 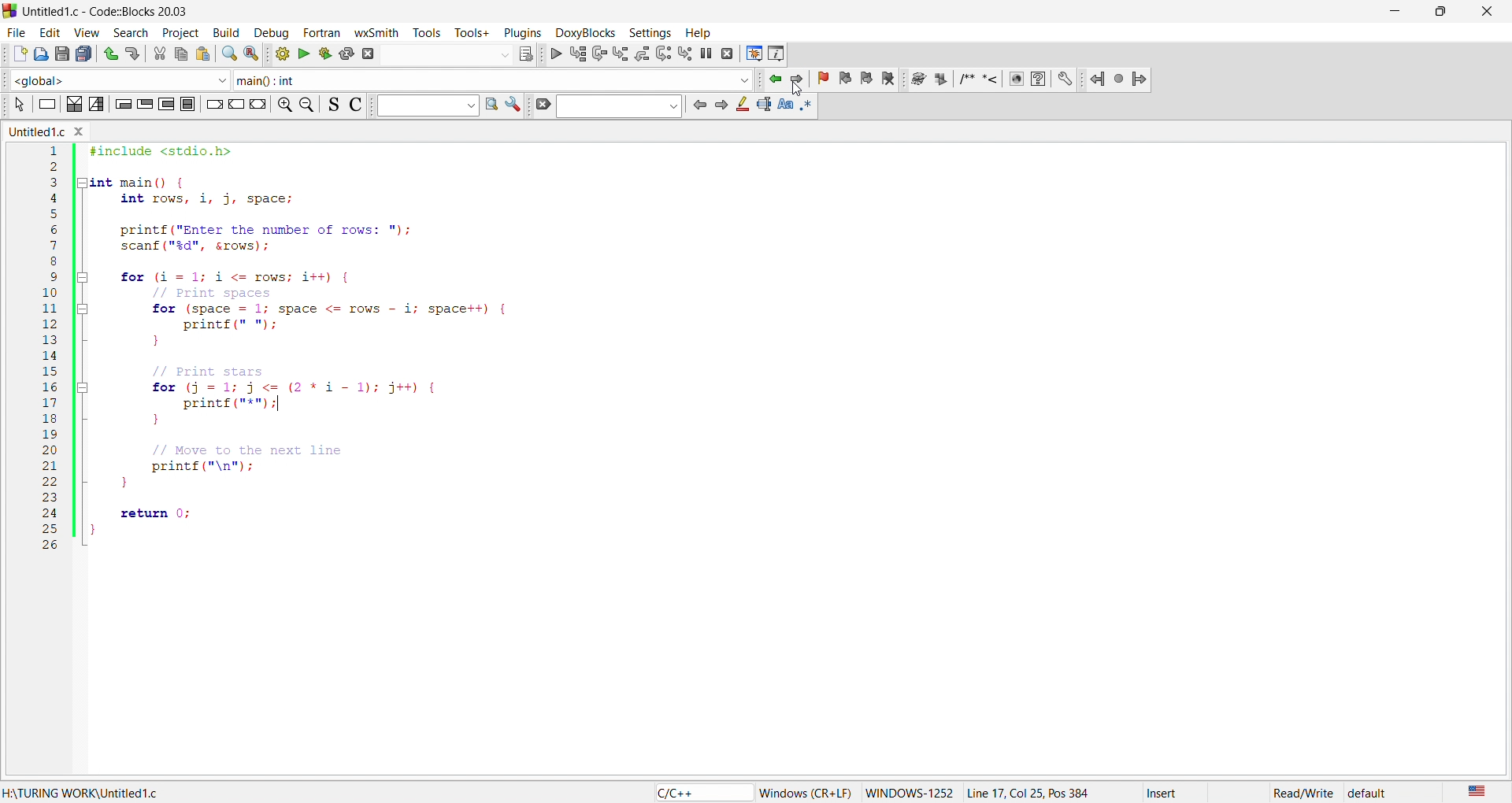 What do you see at coordinates (985, 77) in the screenshot?
I see `docxy blocks` at bounding box center [985, 77].